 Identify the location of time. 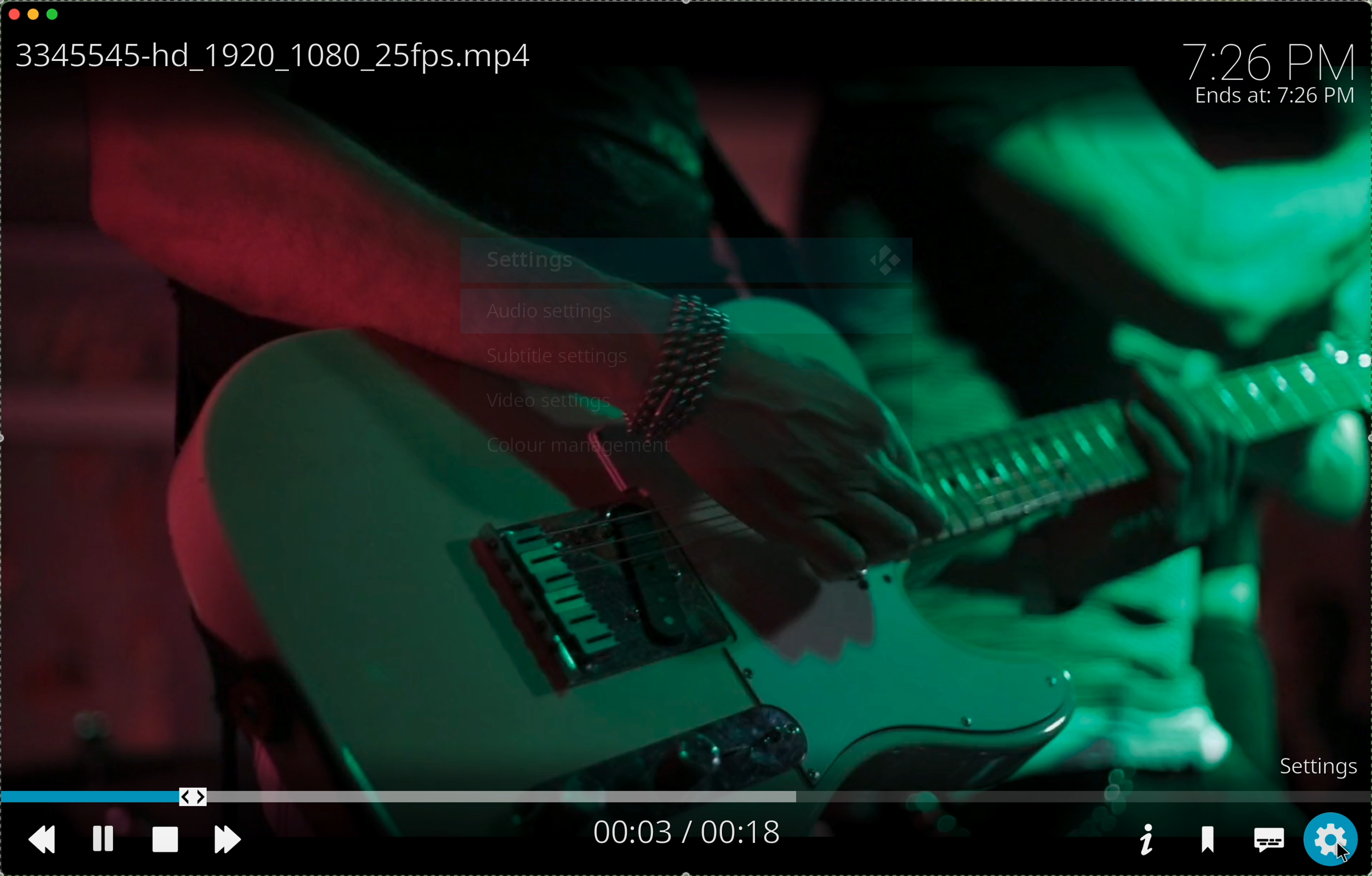
(1271, 60).